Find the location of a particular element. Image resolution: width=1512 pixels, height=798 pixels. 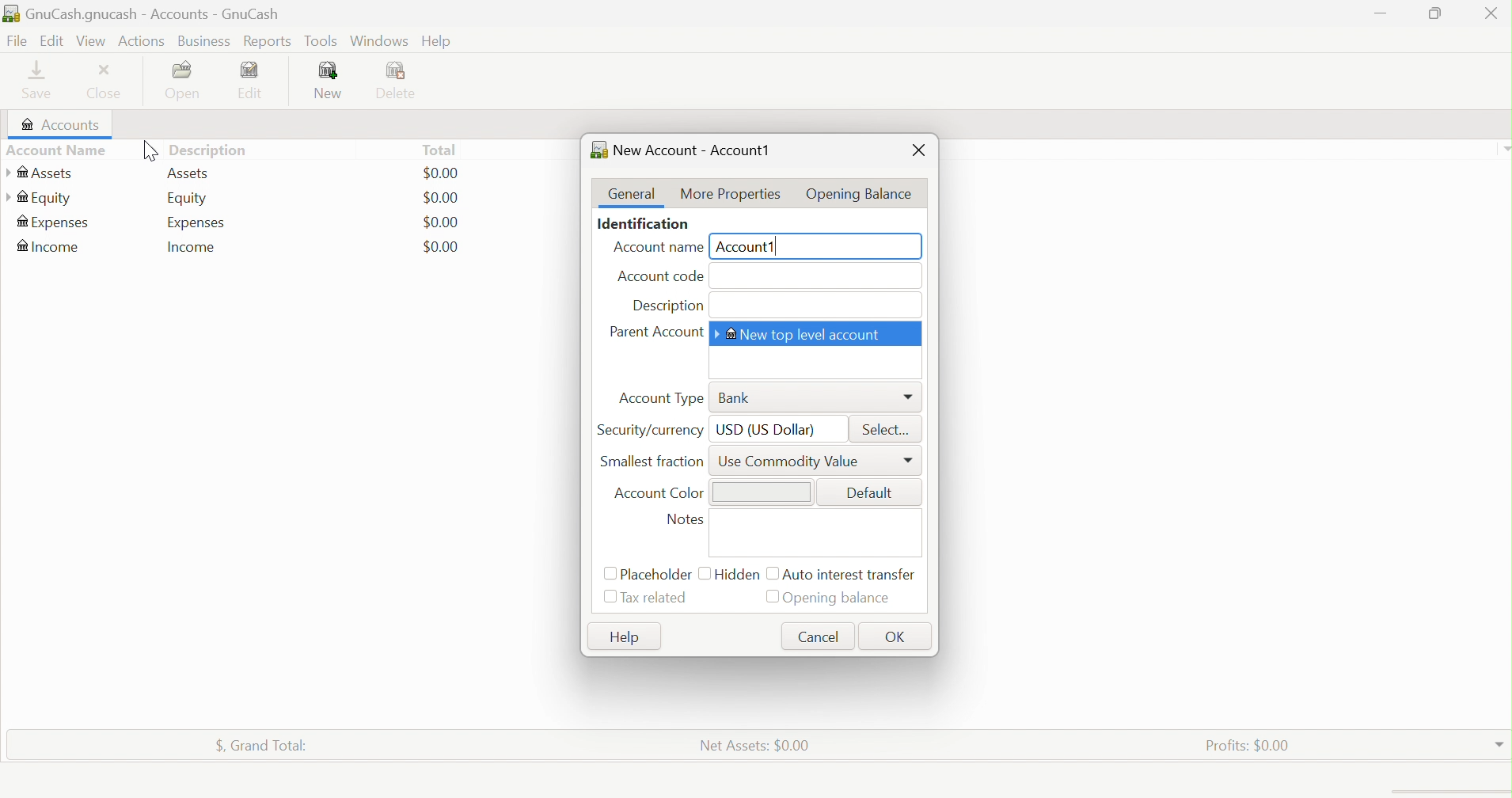

$0.00 is located at coordinates (442, 198).